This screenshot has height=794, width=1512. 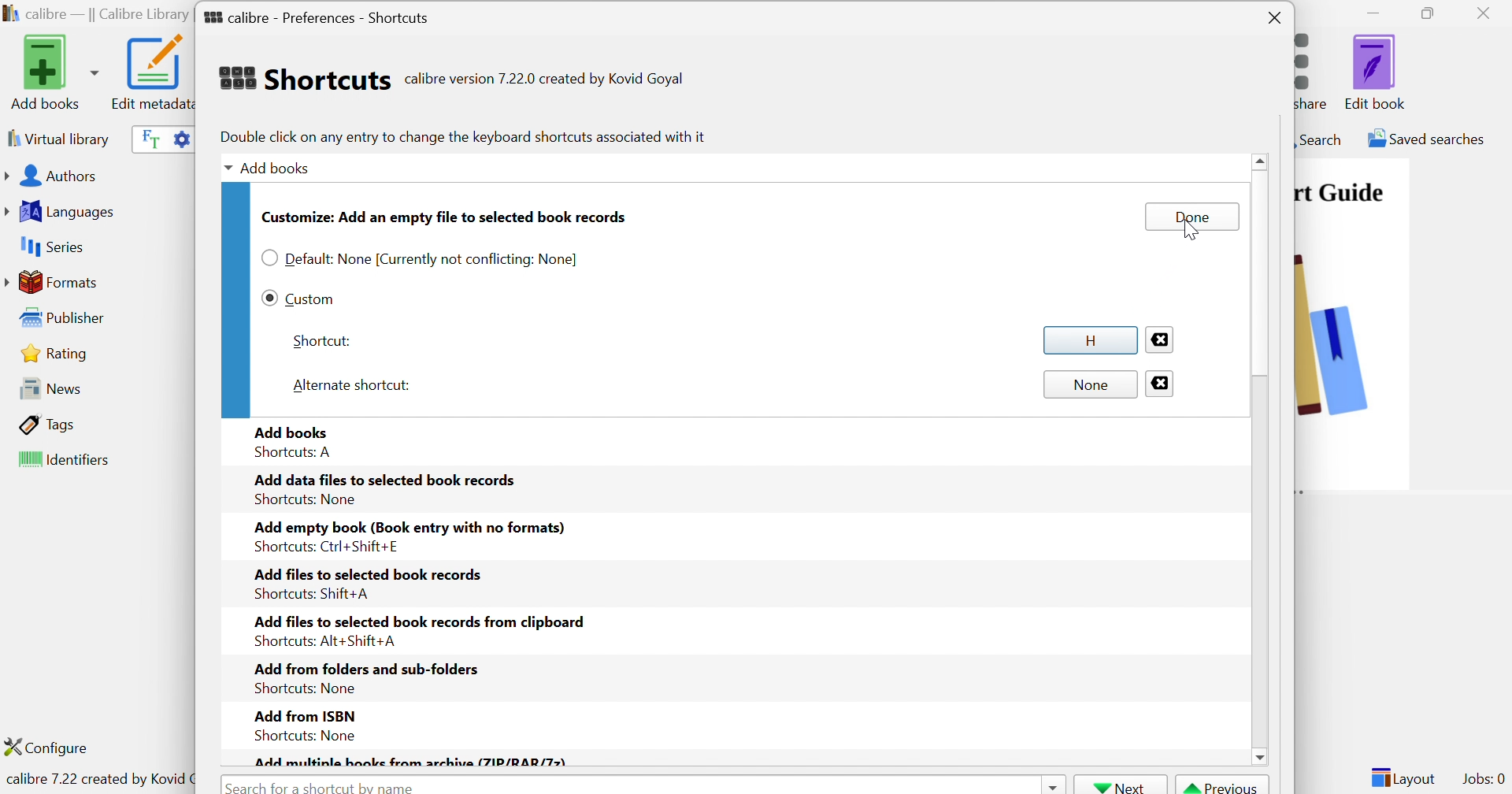 I want to click on Scroll Bar, so click(x=1261, y=297).